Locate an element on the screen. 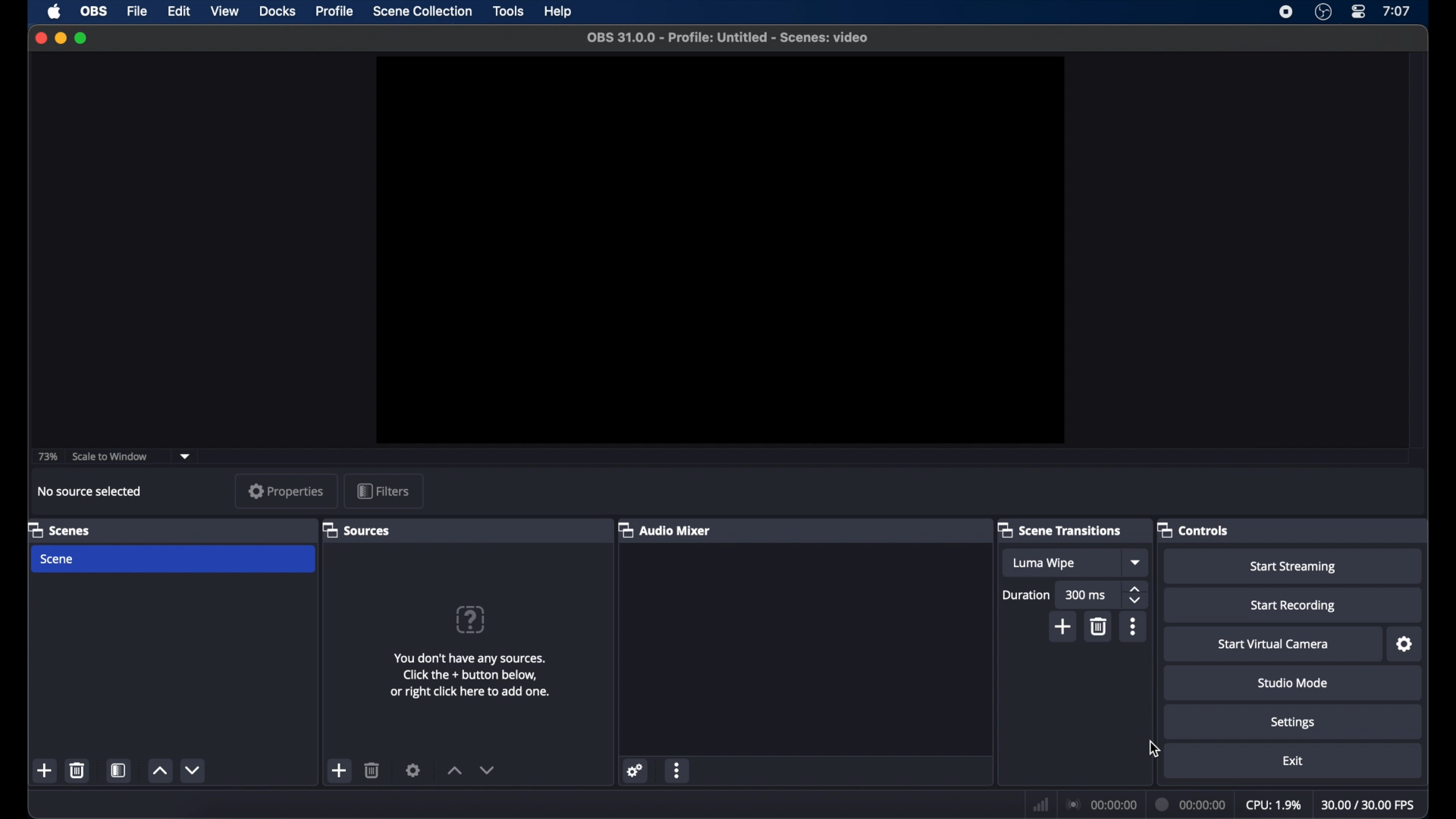 This screenshot has width=1456, height=819. minimize is located at coordinates (60, 38).